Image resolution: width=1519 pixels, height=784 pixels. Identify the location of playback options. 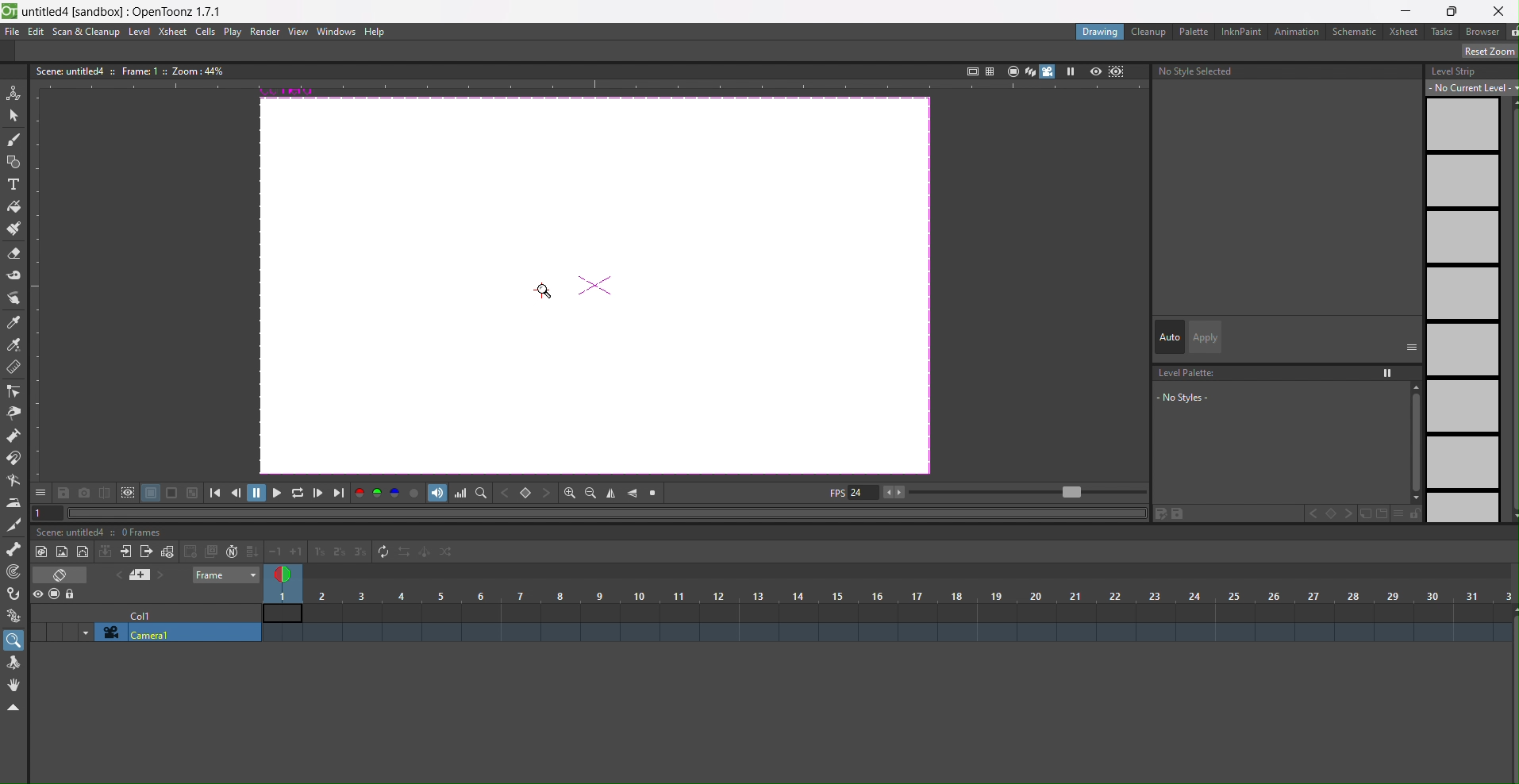
(278, 493).